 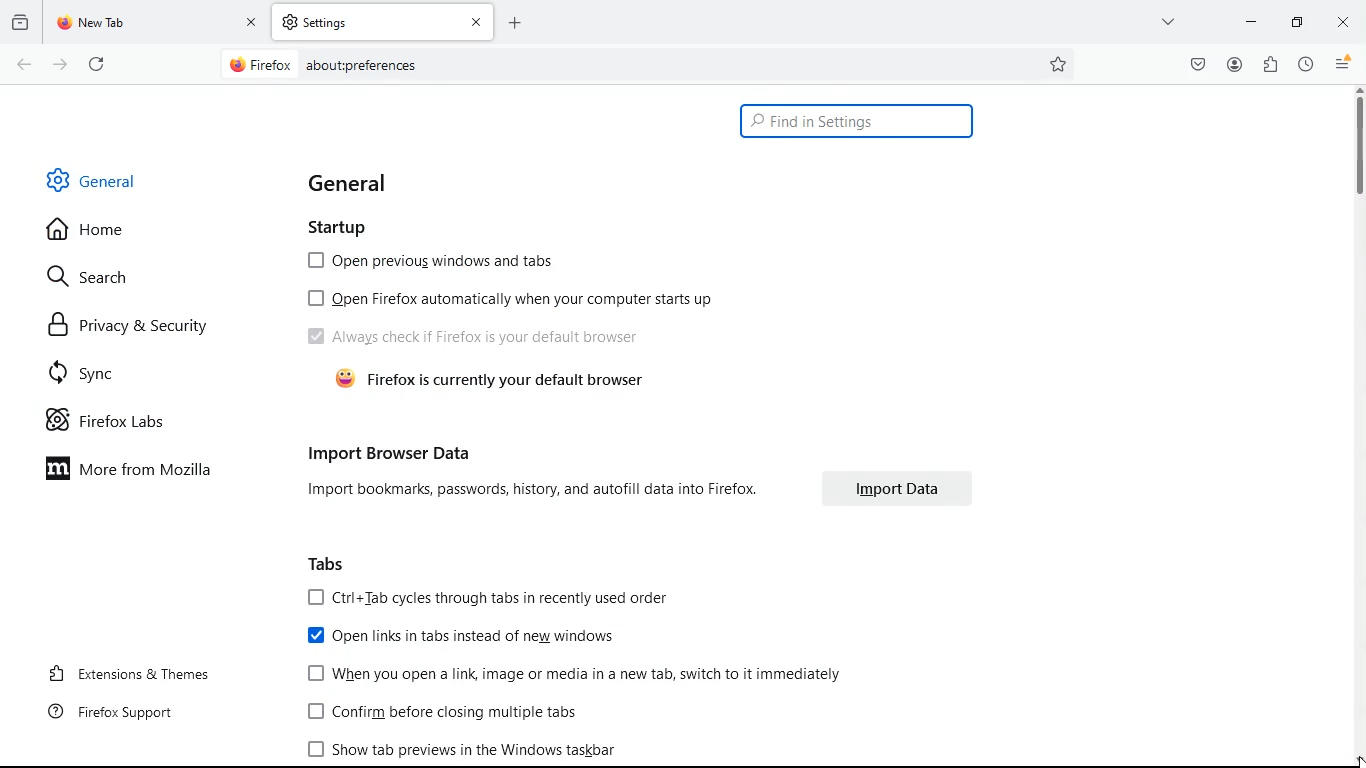 What do you see at coordinates (646, 63) in the screenshot?
I see `Search Bar` at bounding box center [646, 63].